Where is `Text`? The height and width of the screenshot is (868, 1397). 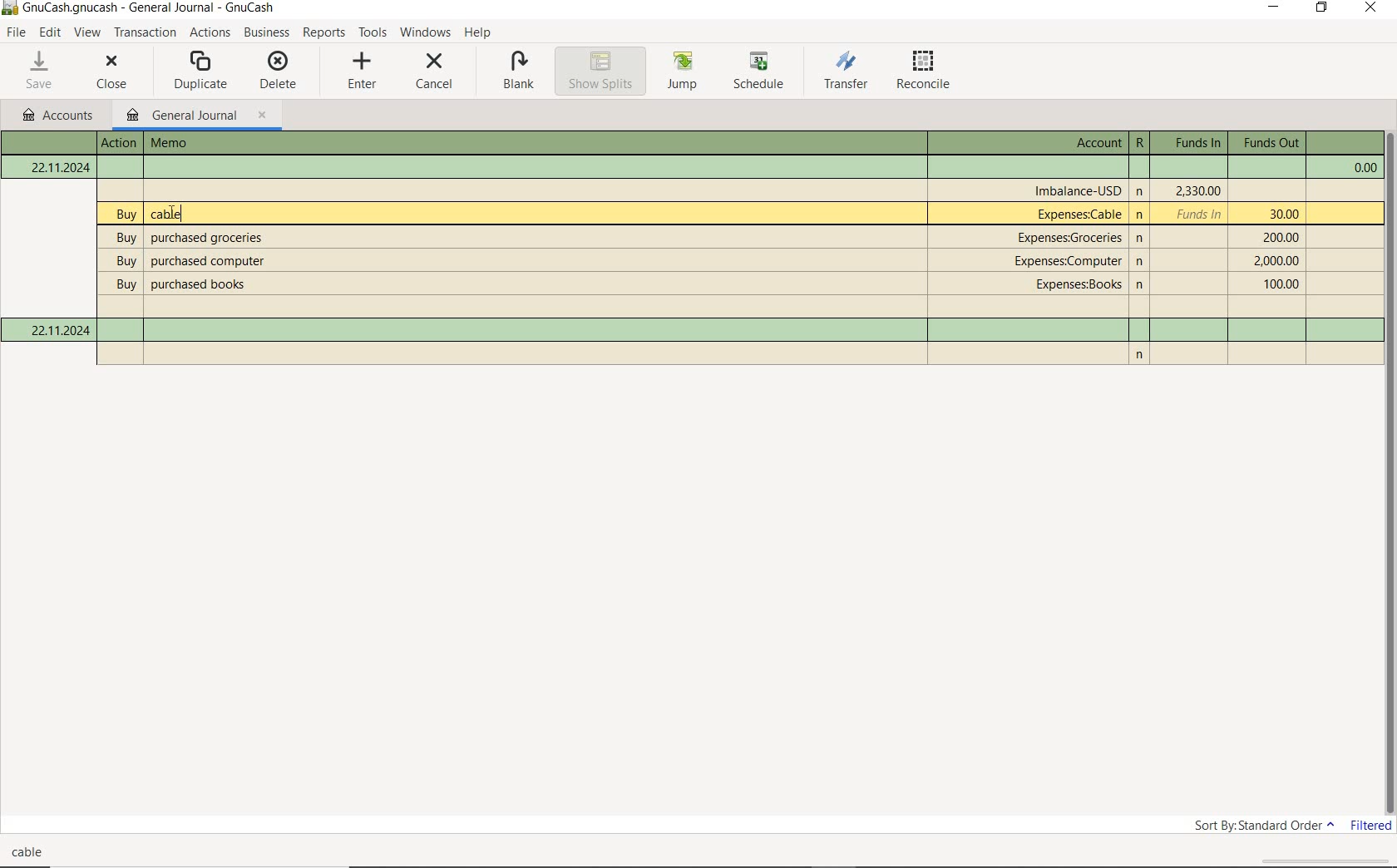
Text is located at coordinates (151, 8).